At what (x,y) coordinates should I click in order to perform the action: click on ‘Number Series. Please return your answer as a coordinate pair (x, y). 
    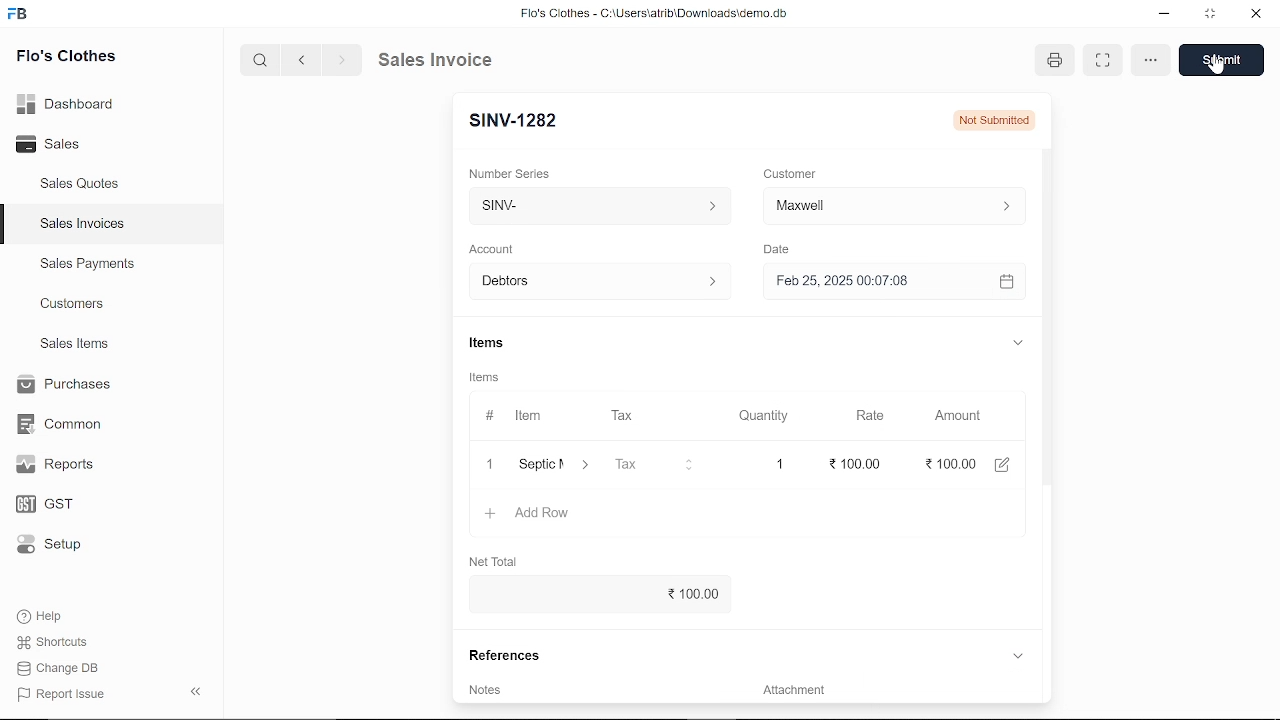
    Looking at the image, I should click on (510, 173).